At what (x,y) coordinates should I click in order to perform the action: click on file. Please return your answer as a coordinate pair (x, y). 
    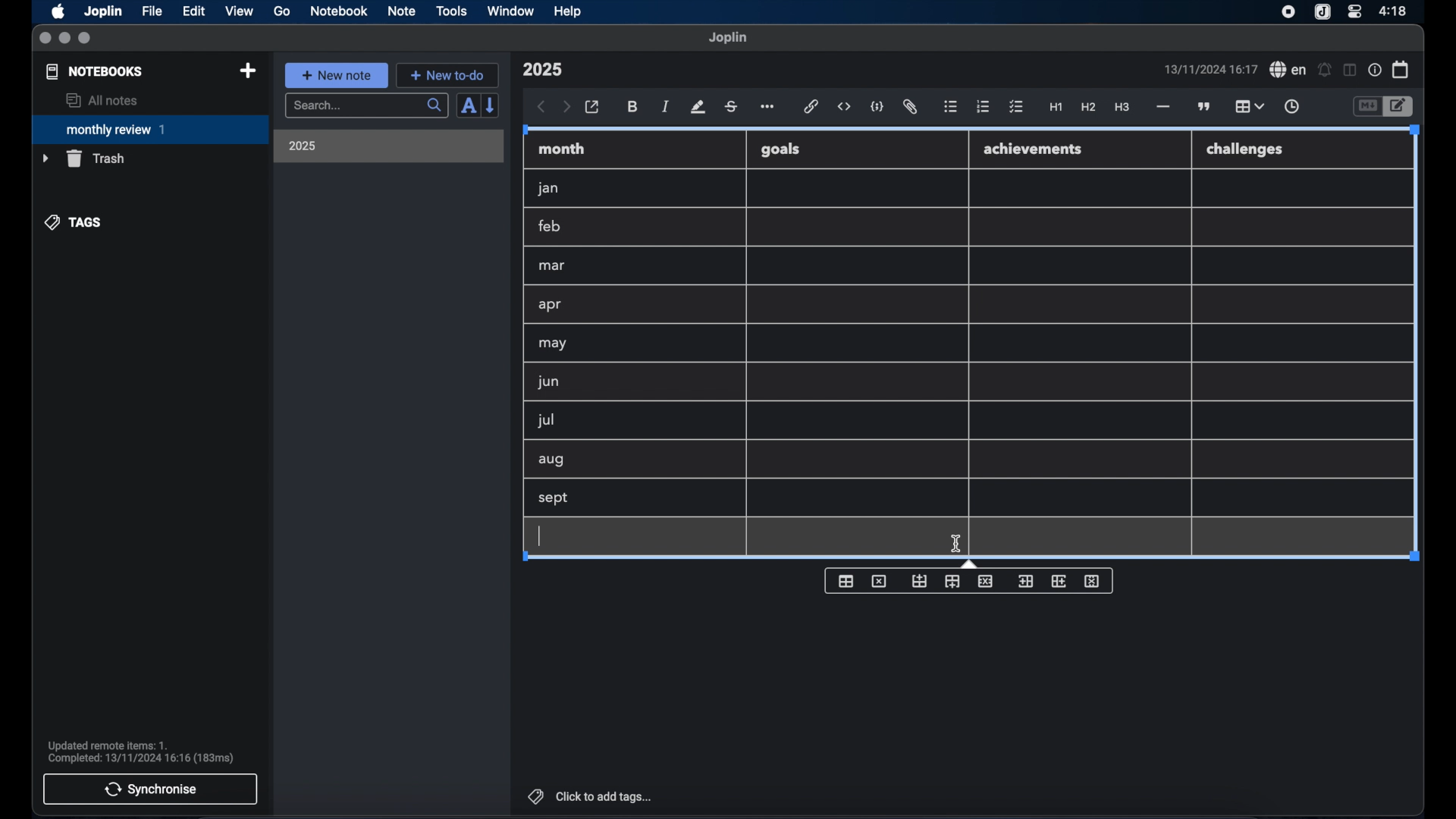
    Looking at the image, I should click on (152, 11).